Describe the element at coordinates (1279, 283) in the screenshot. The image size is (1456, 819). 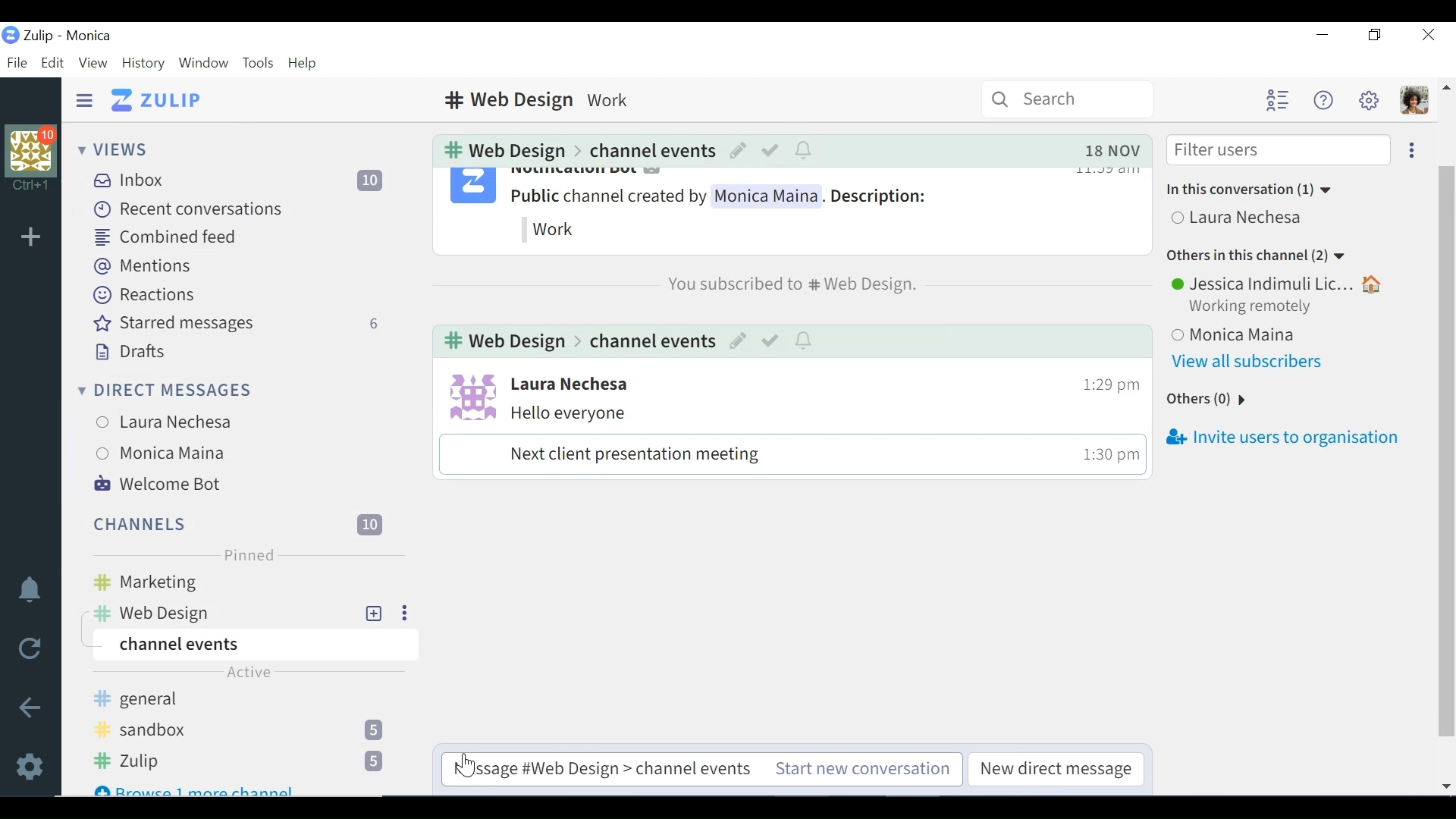
I see `User` at that location.